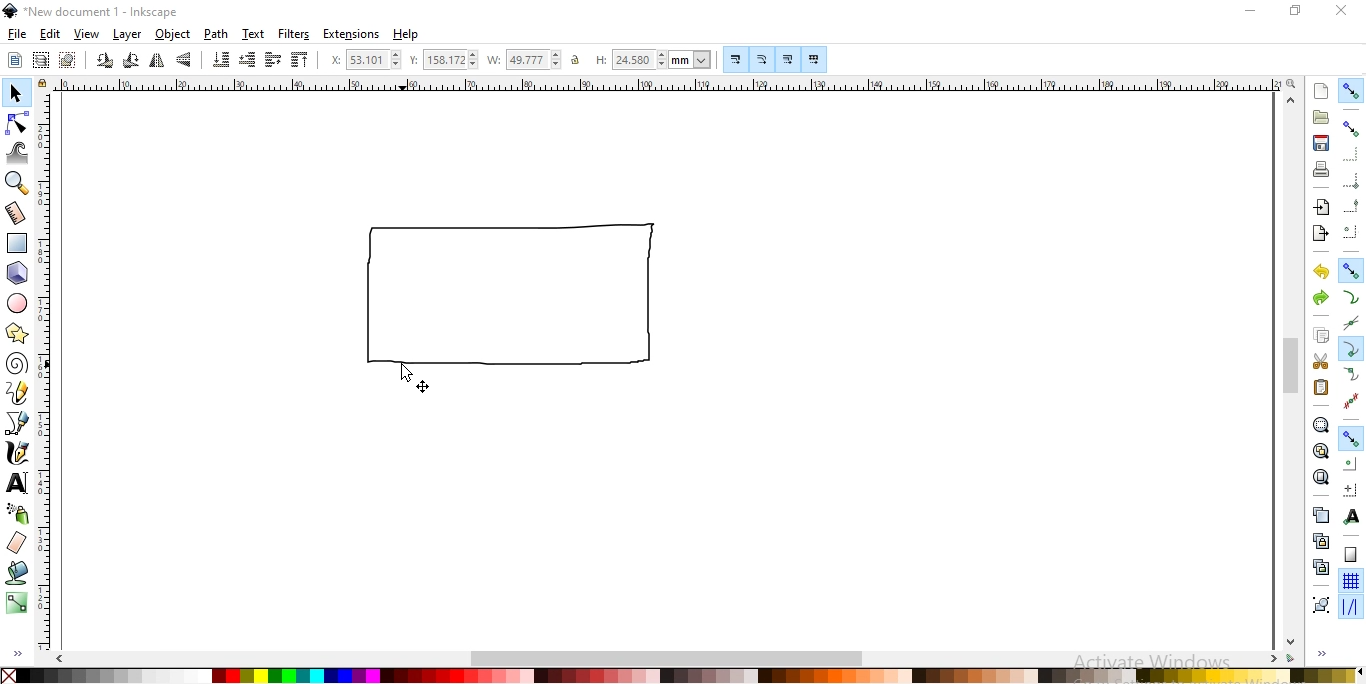  I want to click on flip selected objects horizontally, so click(158, 60).